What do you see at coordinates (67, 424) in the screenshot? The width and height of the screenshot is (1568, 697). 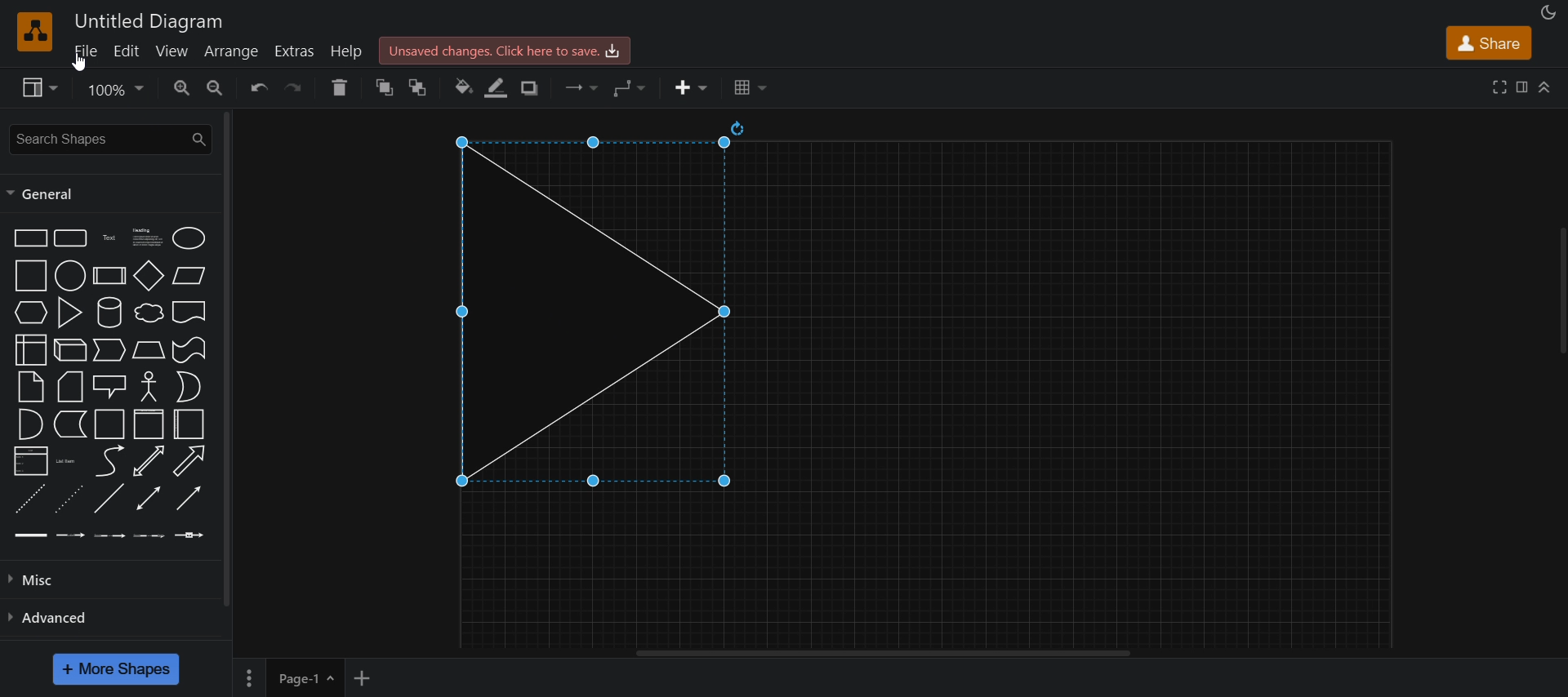 I see `data storage` at bounding box center [67, 424].